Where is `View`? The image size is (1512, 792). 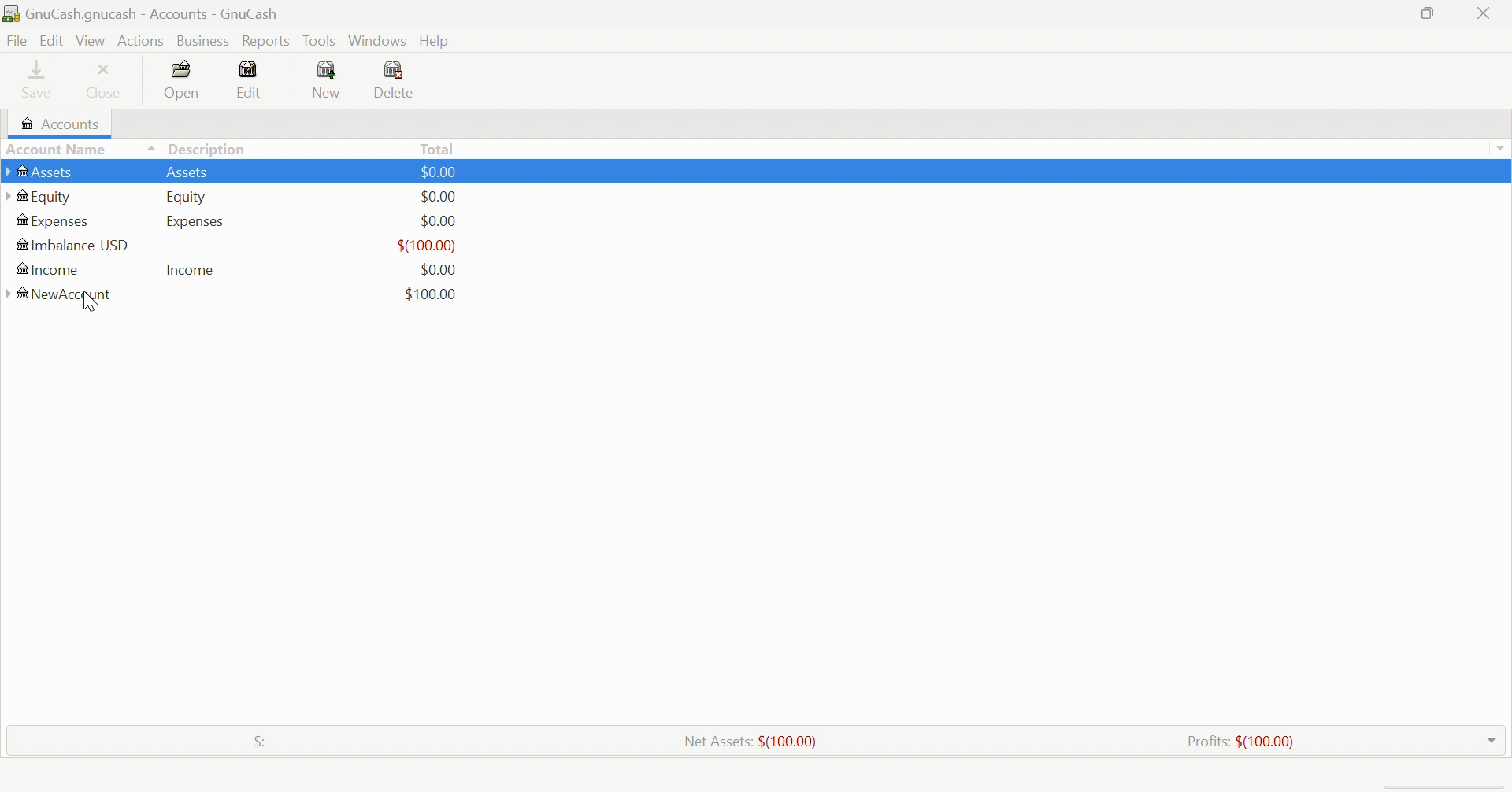 View is located at coordinates (91, 41).